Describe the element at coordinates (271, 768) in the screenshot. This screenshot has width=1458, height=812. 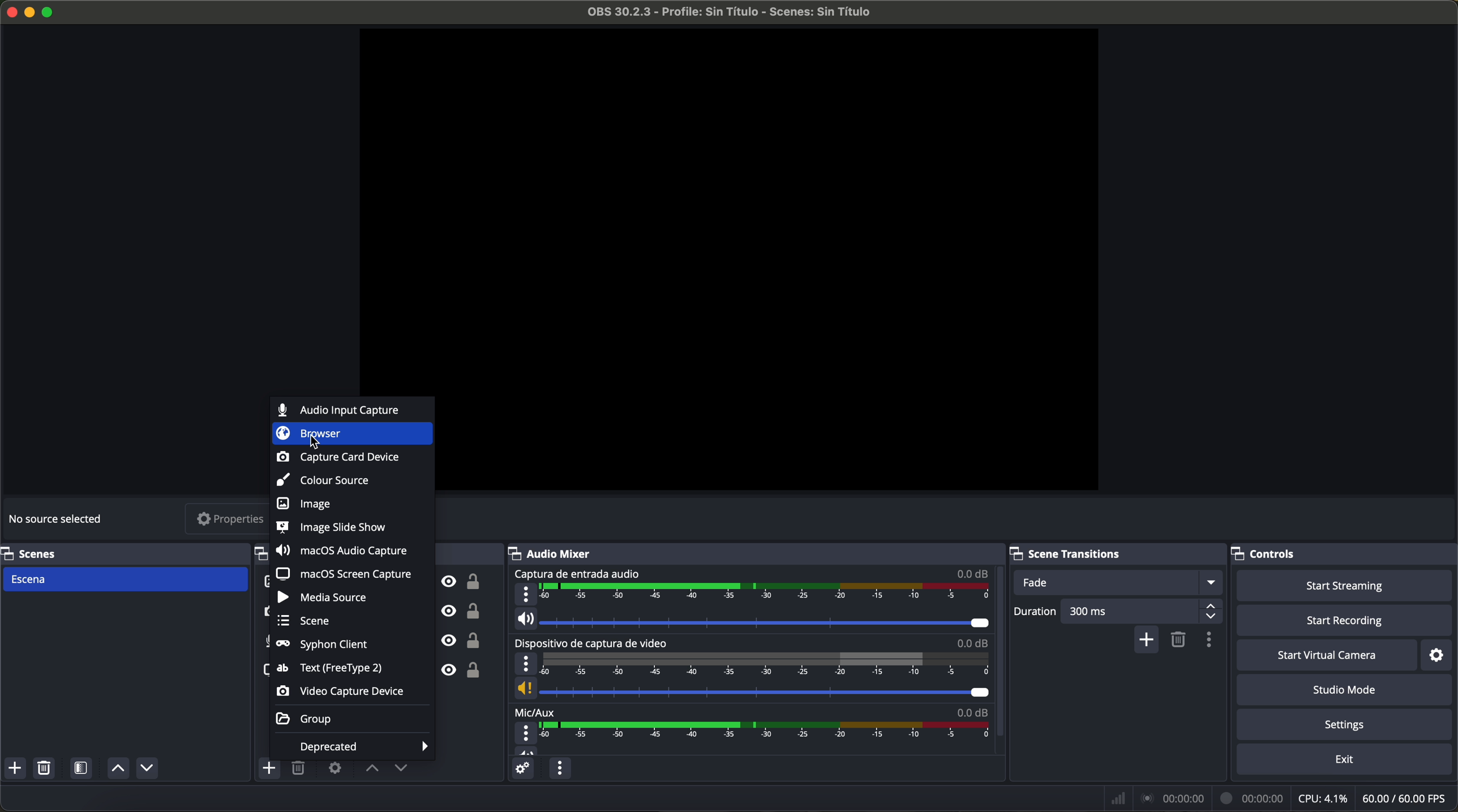
I see `click on add source` at that location.